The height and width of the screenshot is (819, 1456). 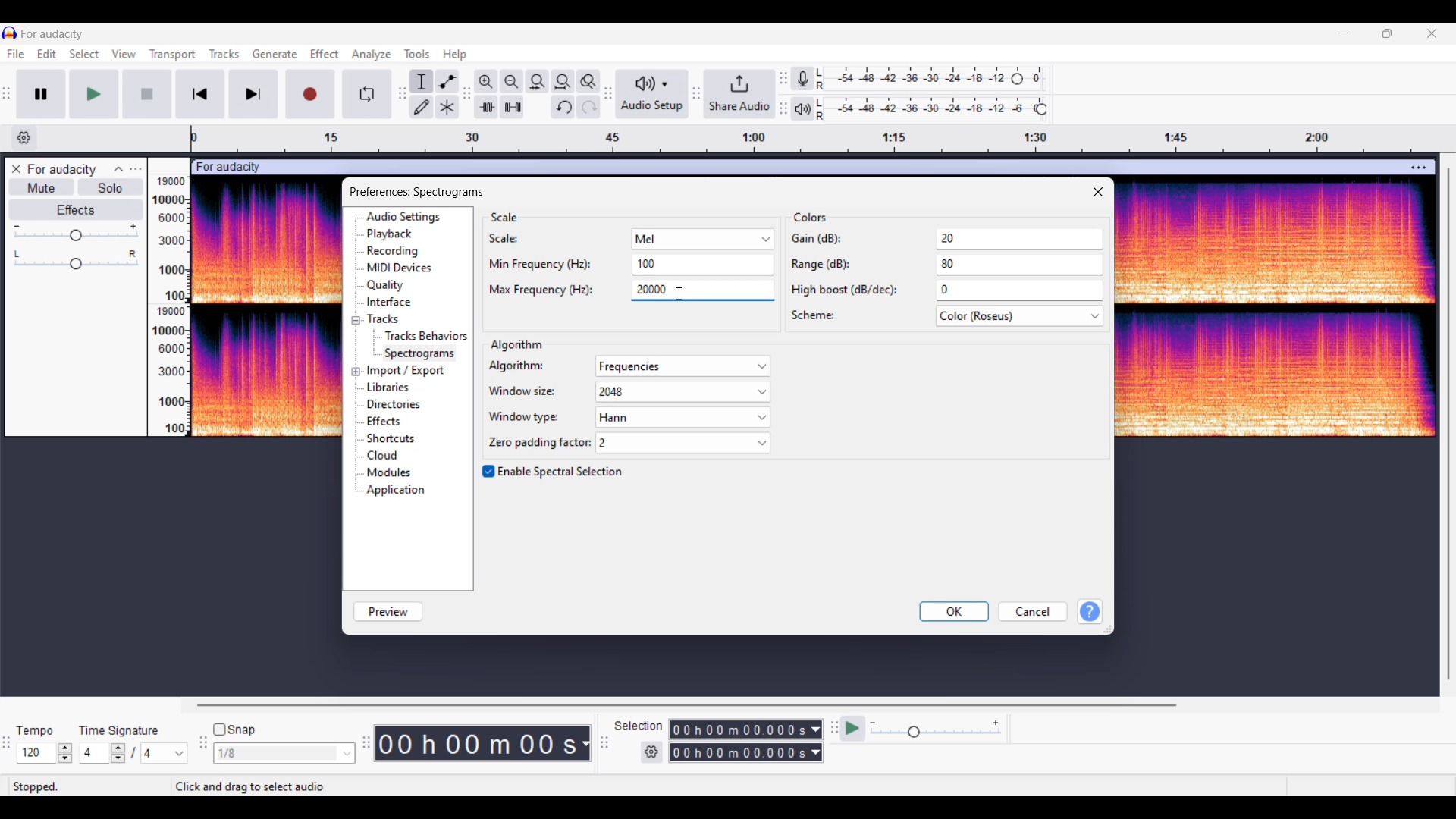 I want to click on click and drag to select audio, so click(x=249, y=786).